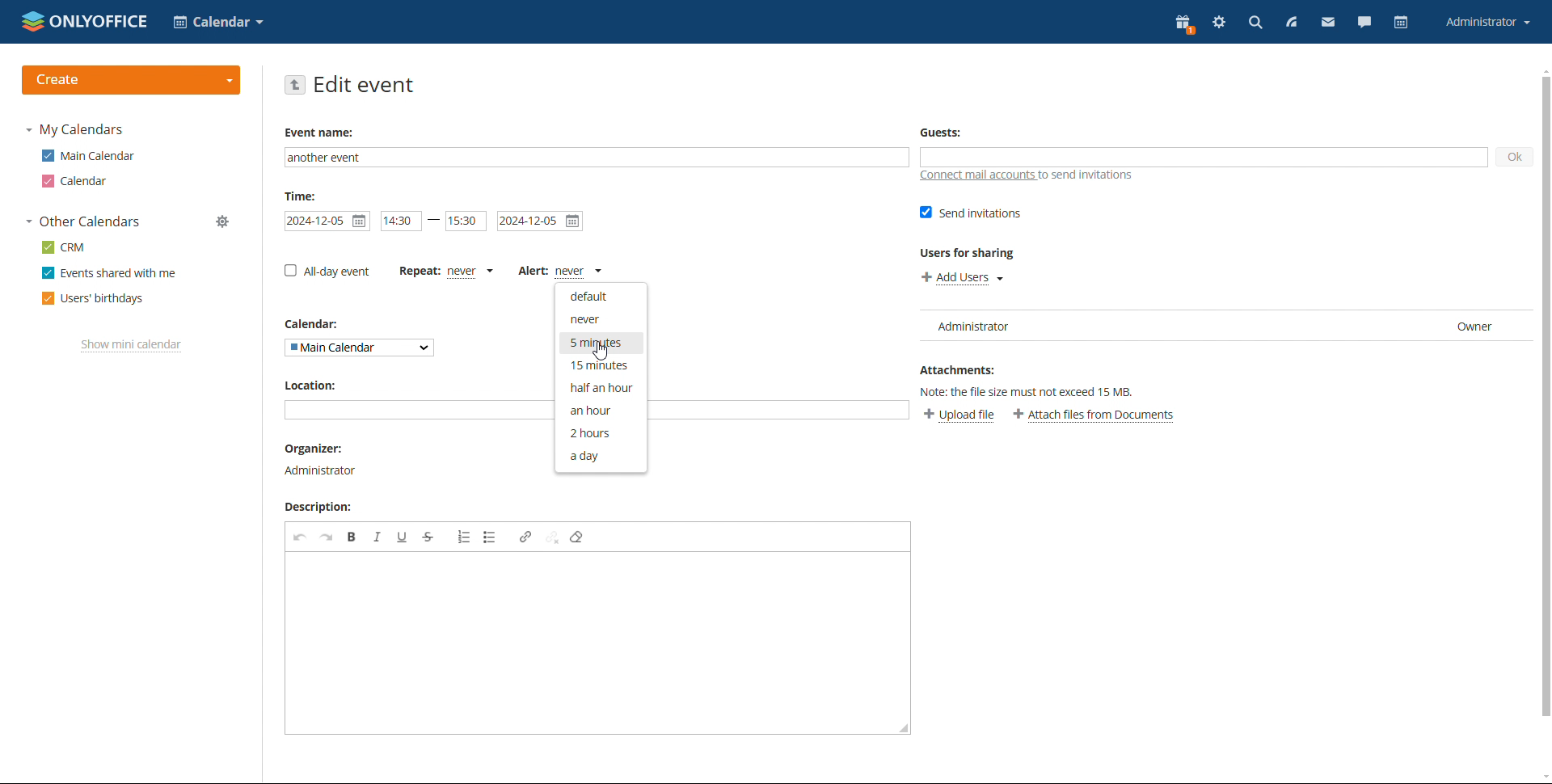  Describe the element at coordinates (1185, 24) in the screenshot. I see `present` at that location.